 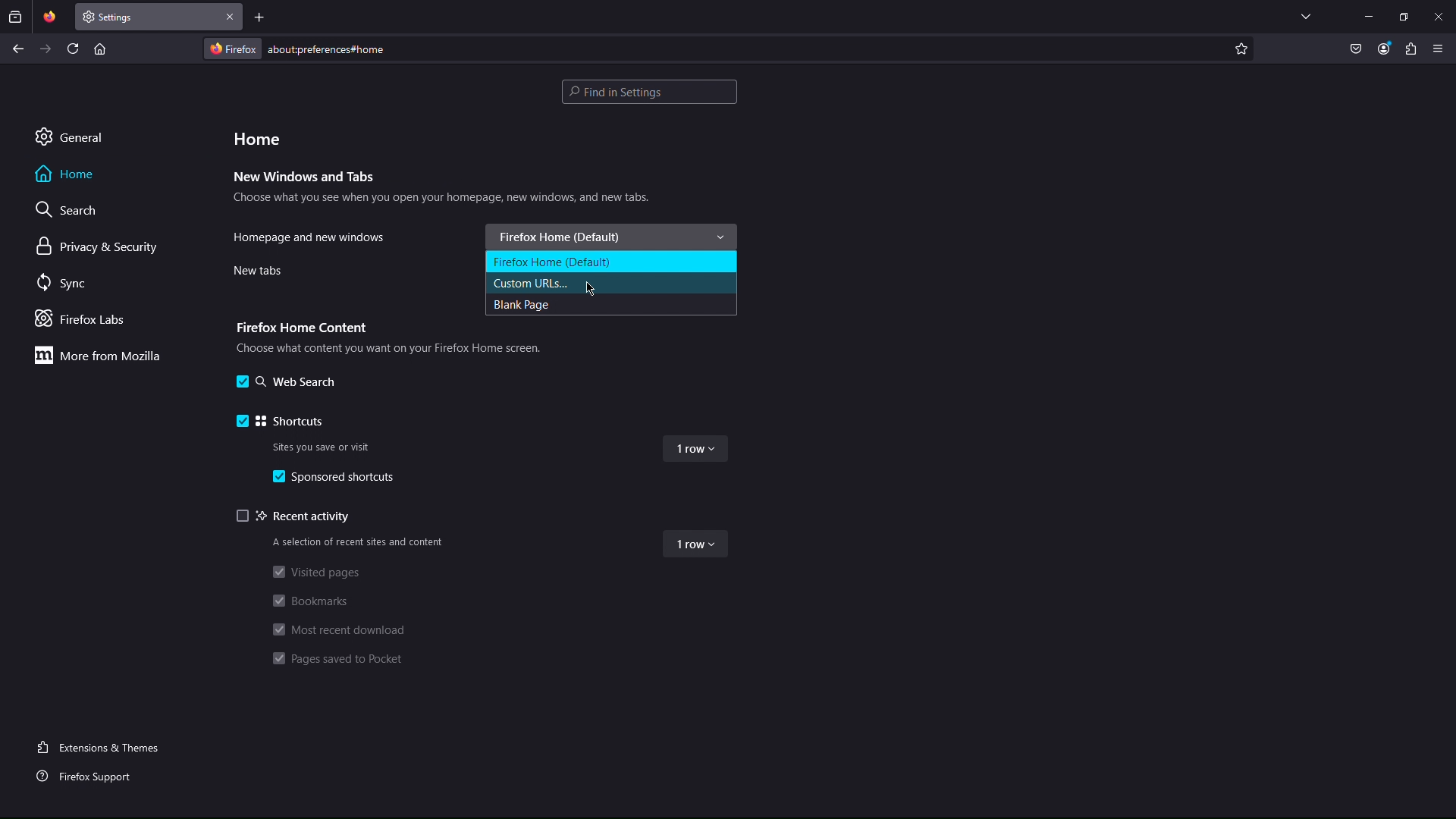 What do you see at coordinates (610, 237) in the screenshot?
I see `Firefox Home (Default)` at bounding box center [610, 237].